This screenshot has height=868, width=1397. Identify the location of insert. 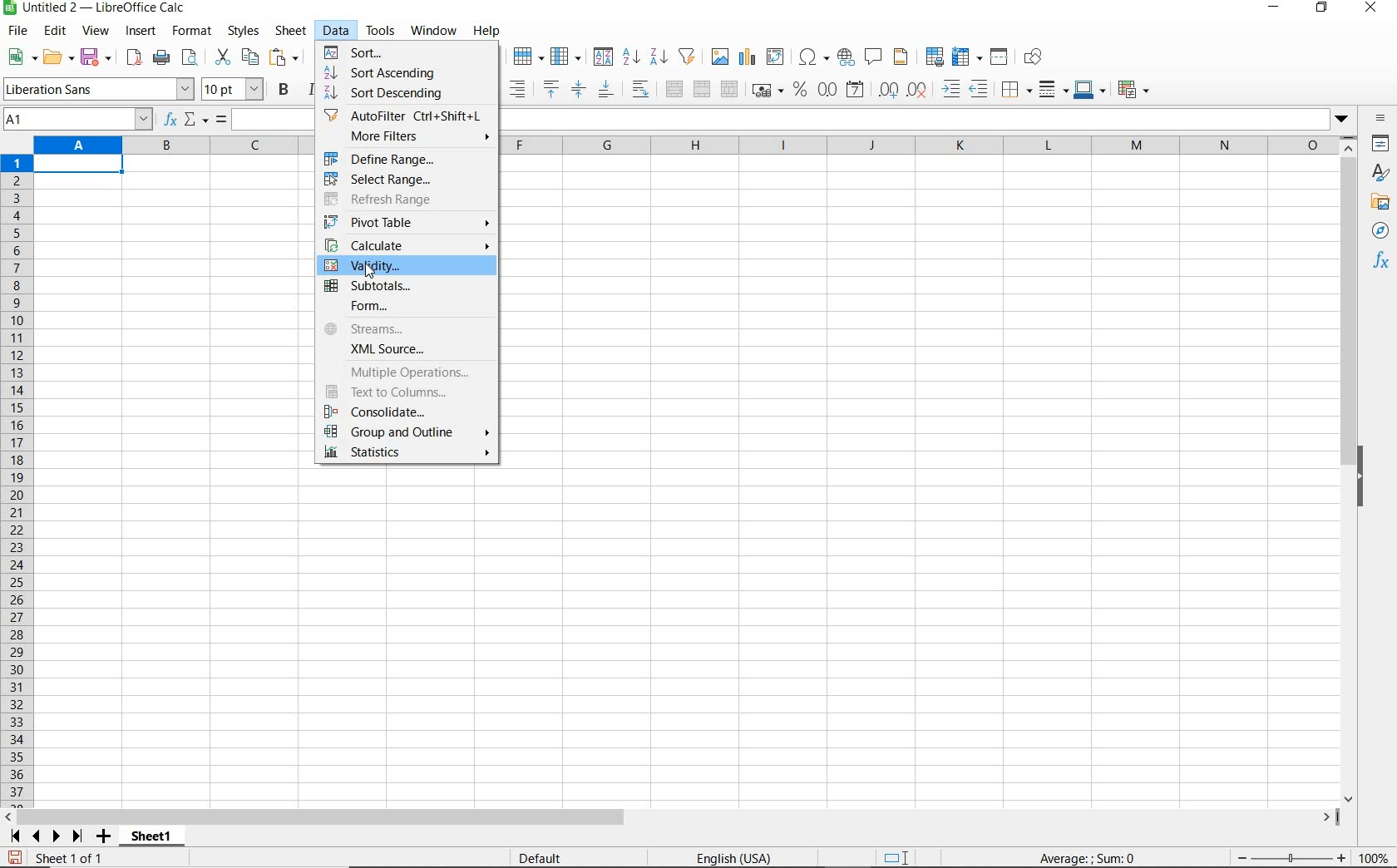
(140, 32).